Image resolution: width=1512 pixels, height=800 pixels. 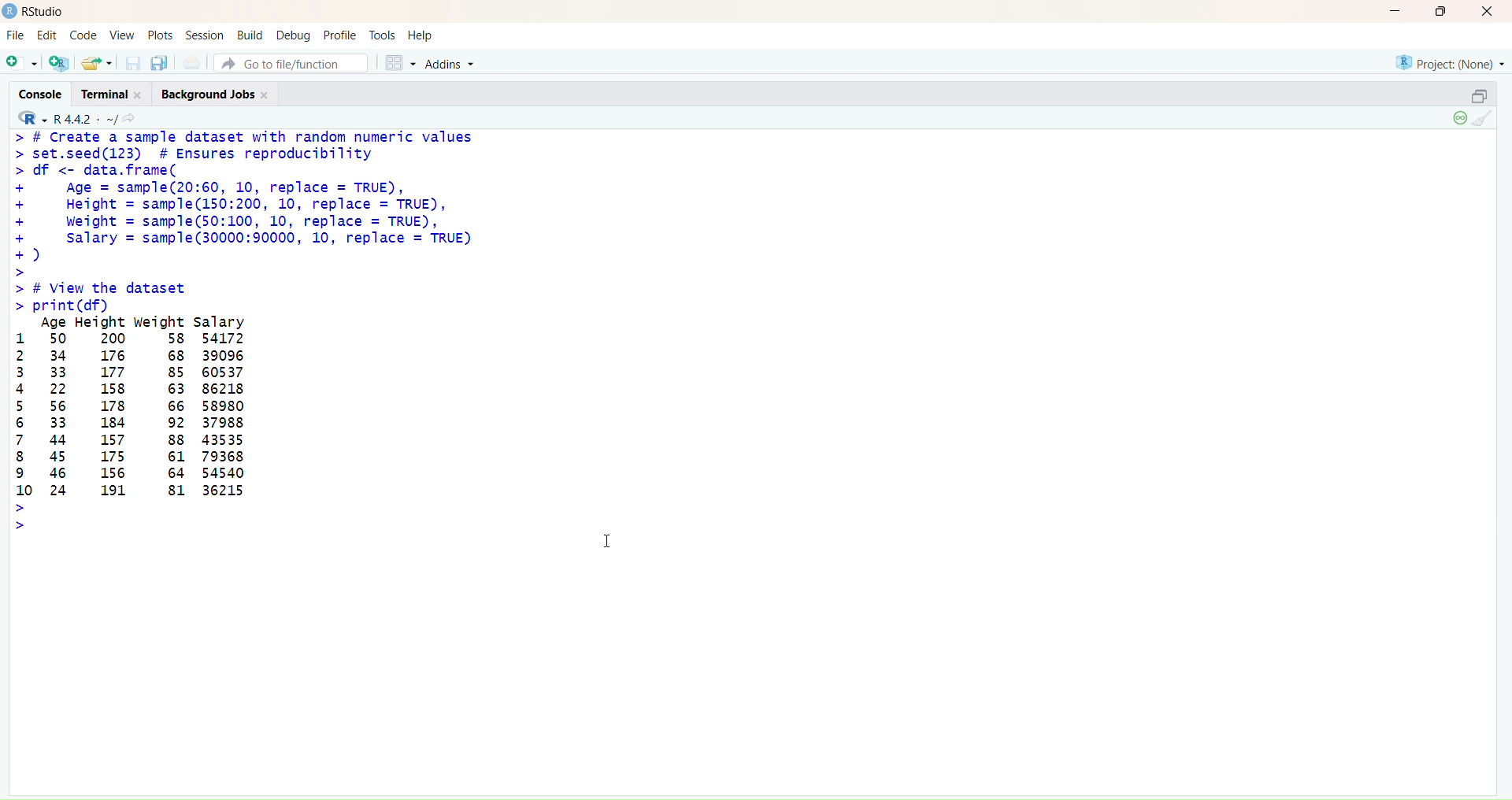 What do you see at coordinates (1458, 119) in the screenshot?
I see `Session suspend timeout passed: A child process is running` at bounding box center [1458, 119].